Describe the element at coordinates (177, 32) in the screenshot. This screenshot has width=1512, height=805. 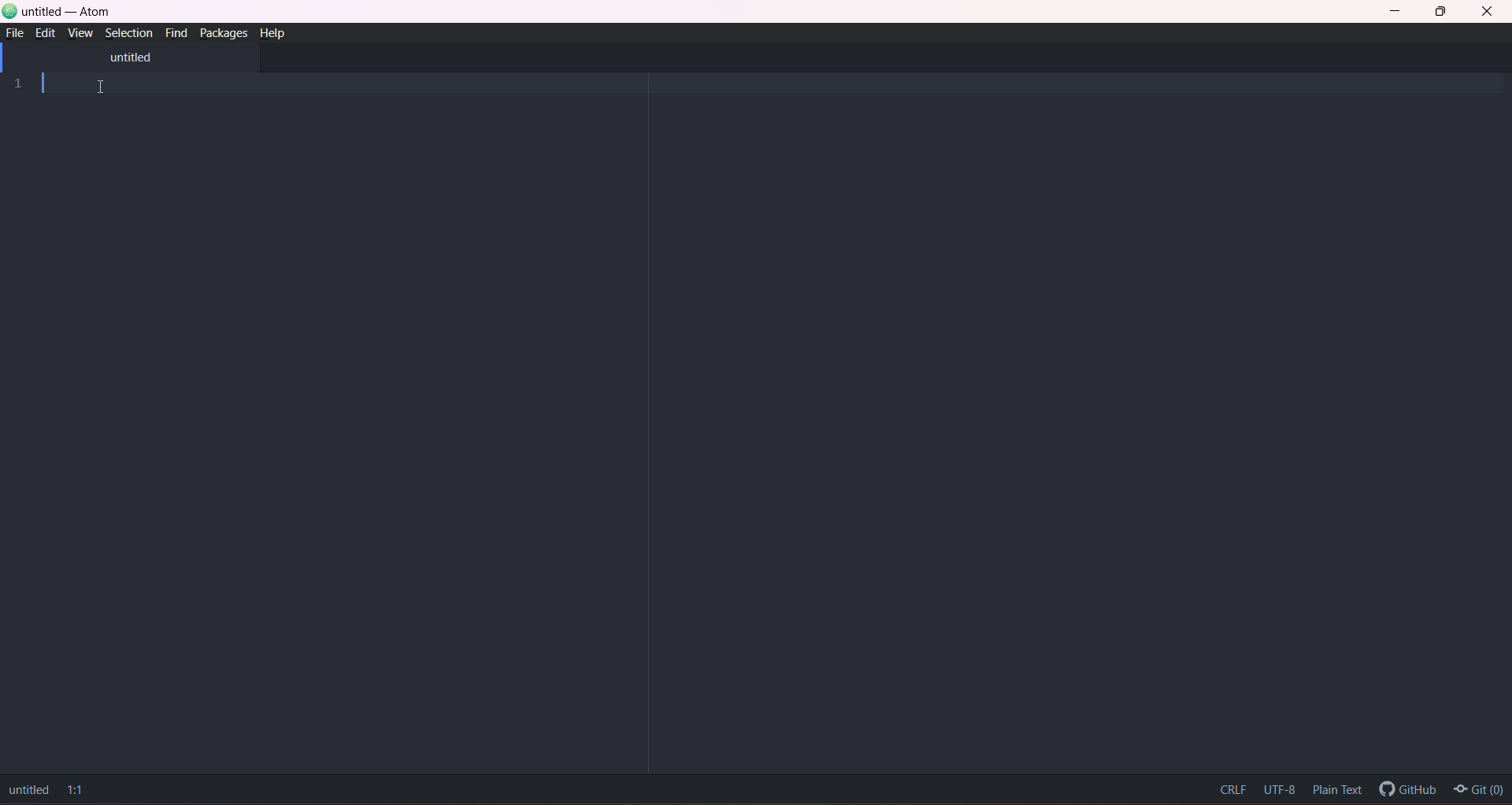
I see `Find` at that location.